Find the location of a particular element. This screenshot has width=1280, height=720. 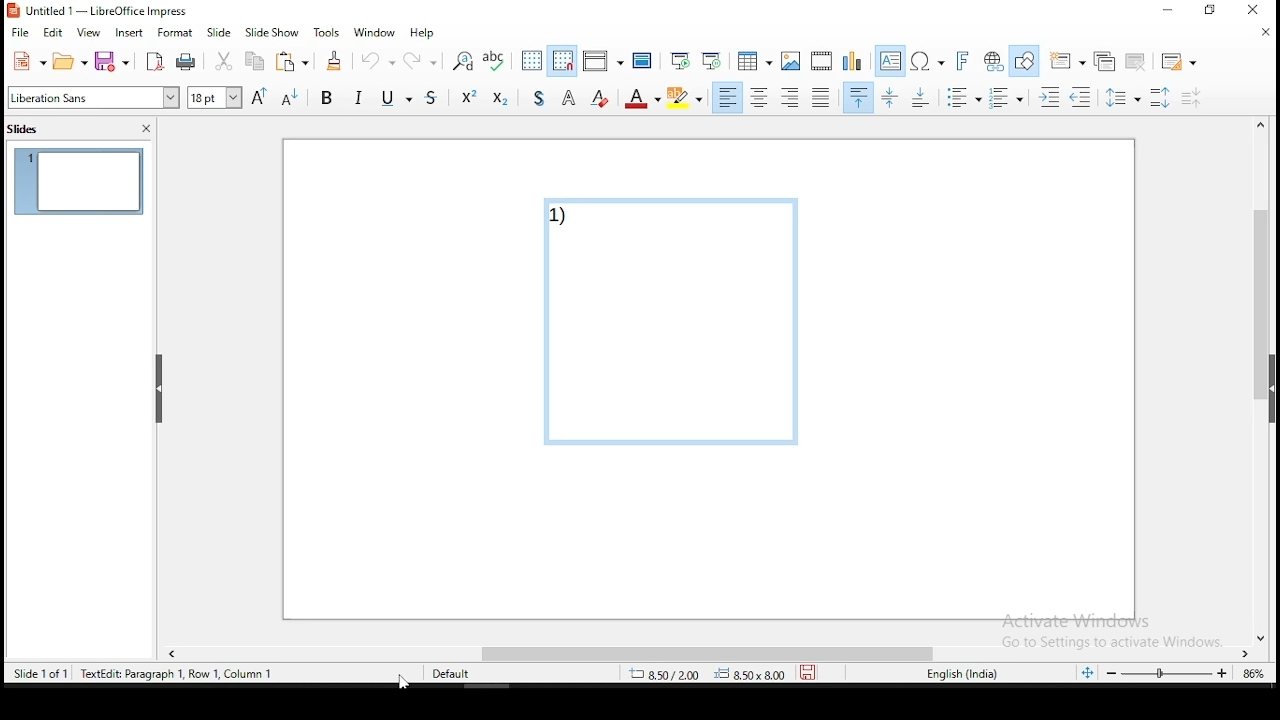

toggle ordered list is located at coordinates (1004, 98).